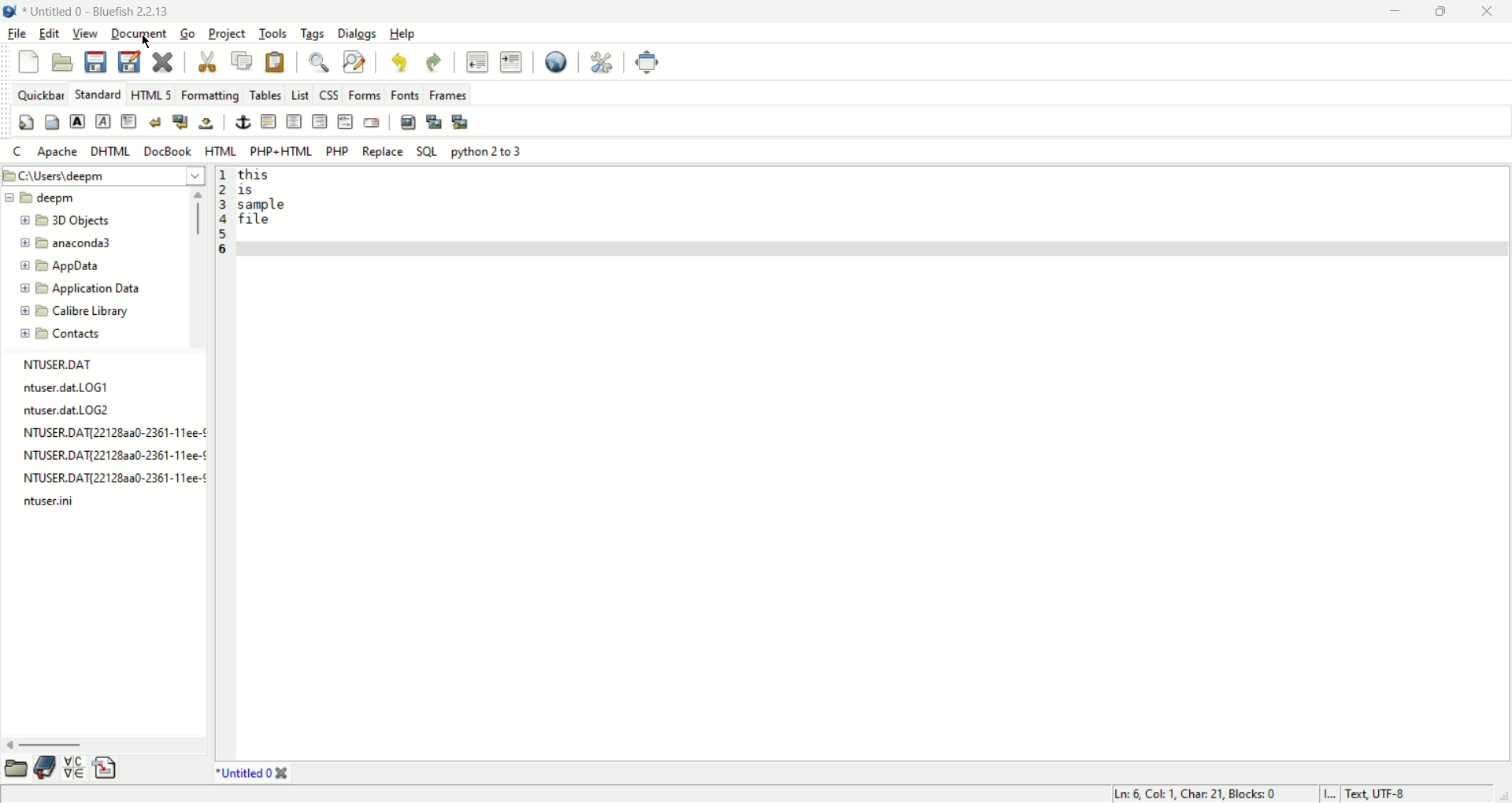  Describe the element at coordinates (403, 64) in the screenshot. I see `undo` at that location.